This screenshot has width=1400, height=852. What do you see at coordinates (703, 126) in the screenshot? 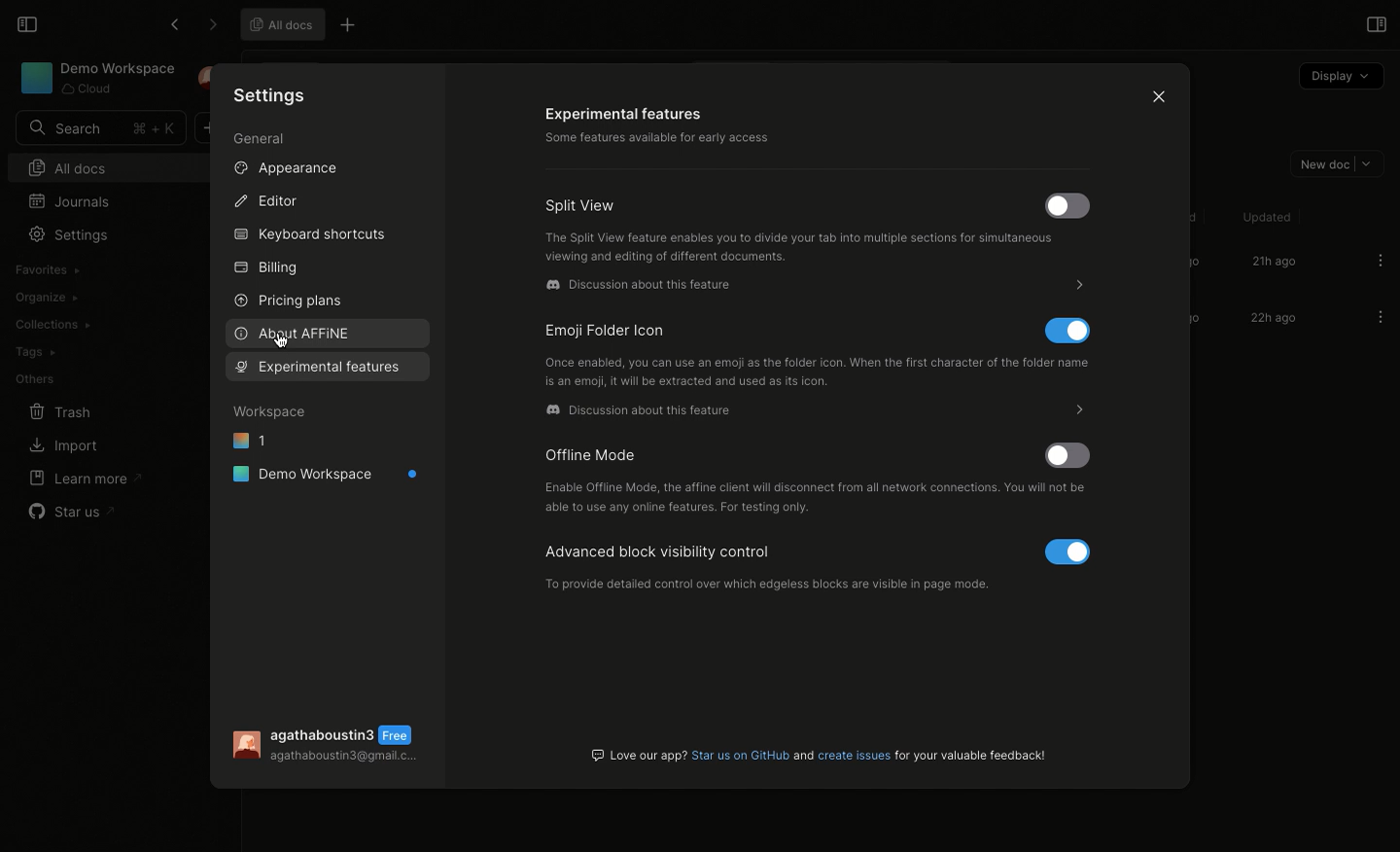
I see `Demo workspace settings` at bounding box center [703, 126].